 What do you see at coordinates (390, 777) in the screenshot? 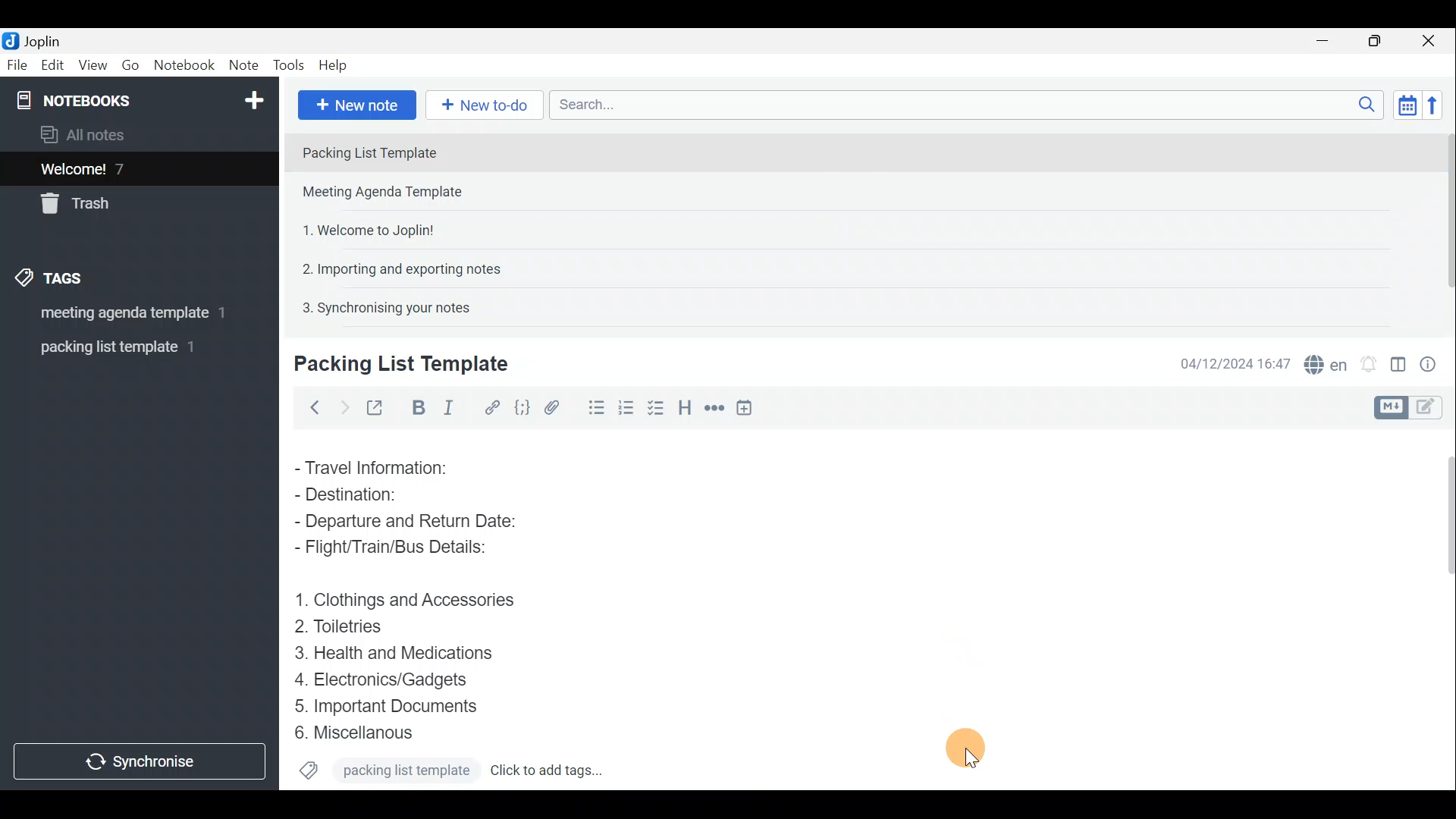
I see `Packing list template` at bounding box center [390, 777].